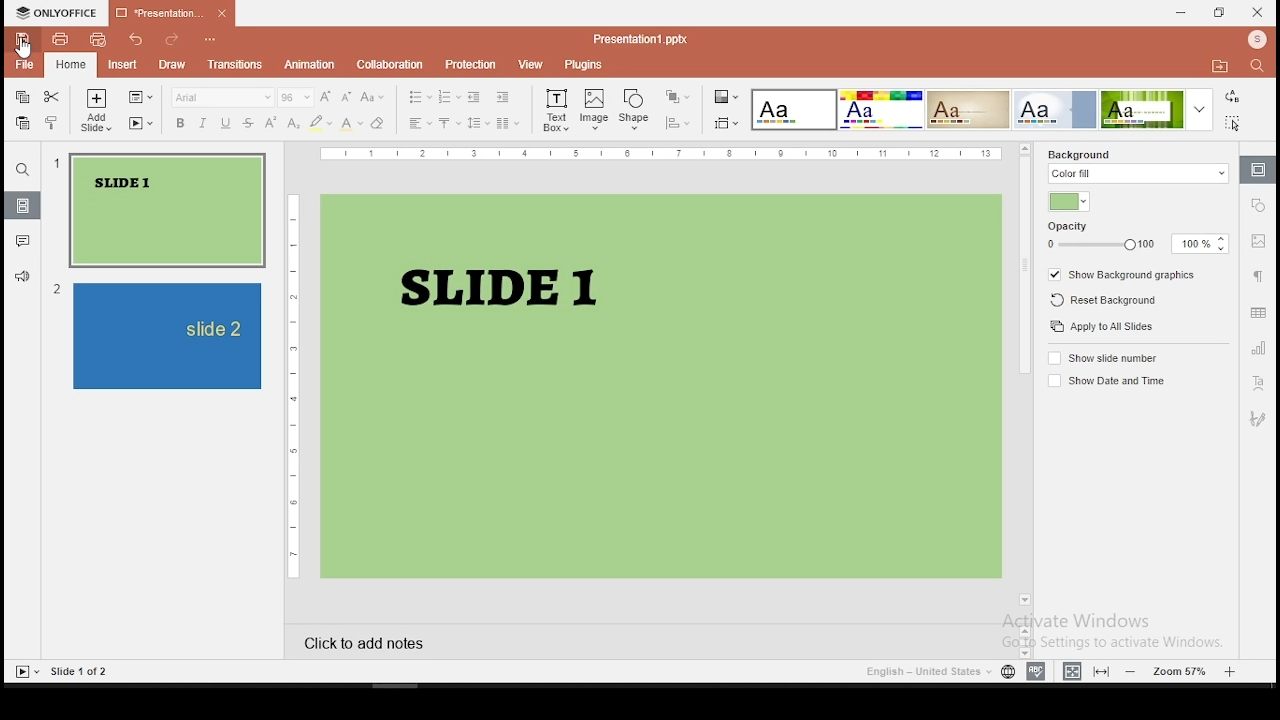  I want to click on decrease indent, so click(474, 96).